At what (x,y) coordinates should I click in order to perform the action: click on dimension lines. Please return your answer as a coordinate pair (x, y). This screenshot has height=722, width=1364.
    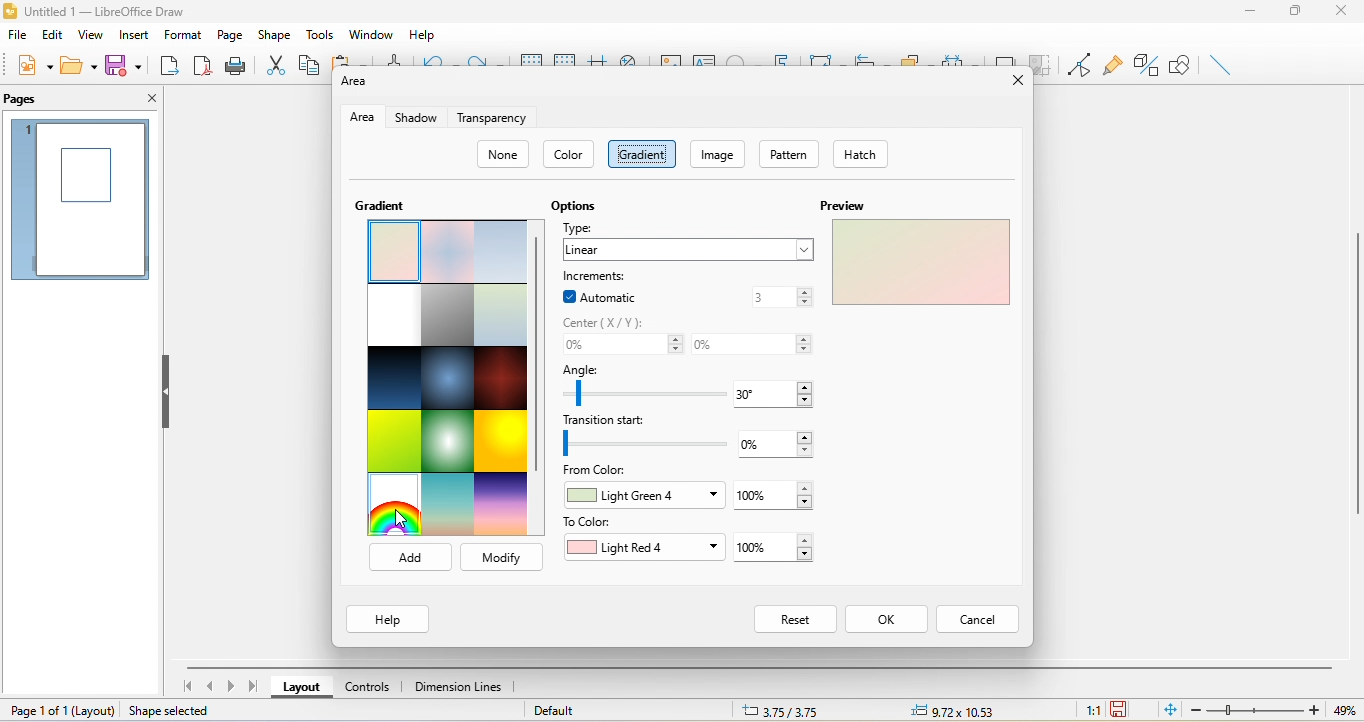
    Looking at the image, I should click on (463, 686).